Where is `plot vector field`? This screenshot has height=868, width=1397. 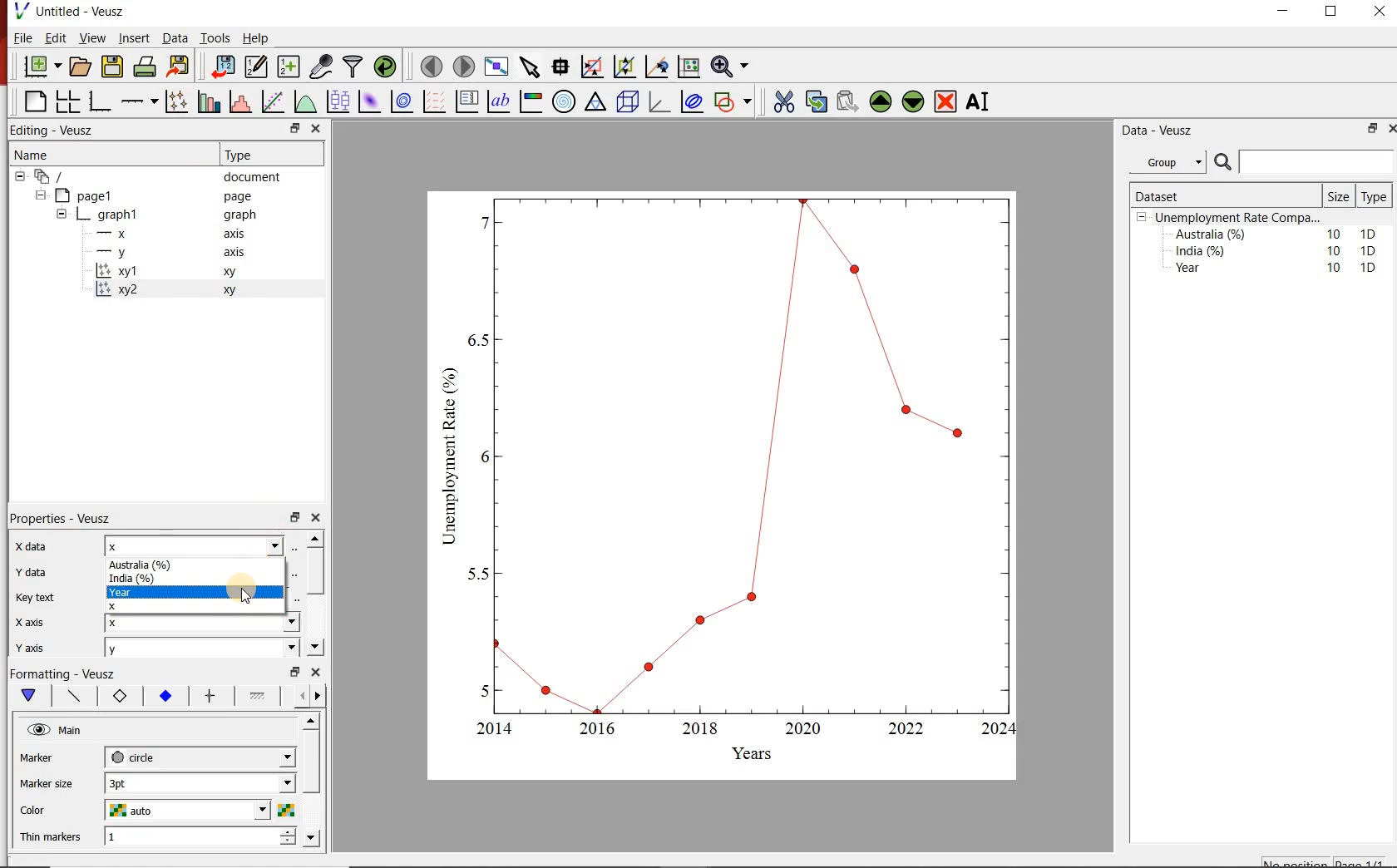
plot vector field is located at coordinates (433, 101).